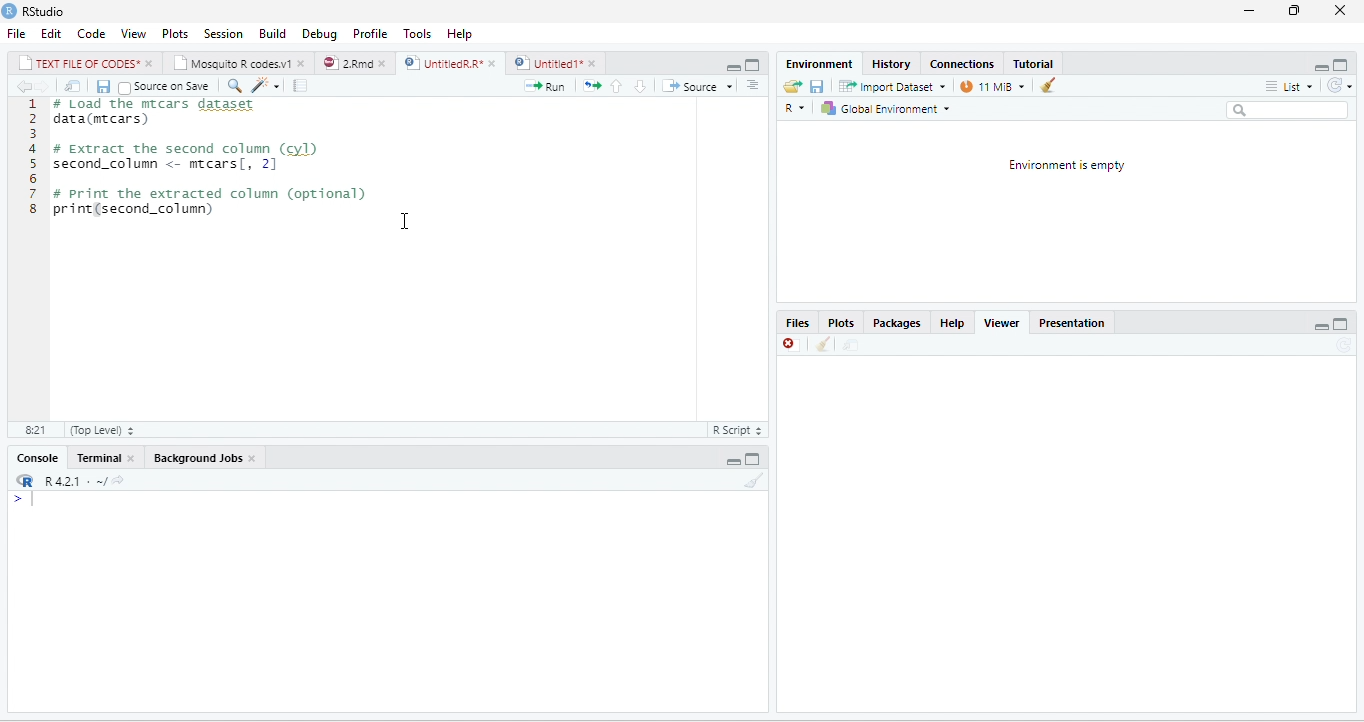 This screenshot has width=1364, height=722. What do you see at coordinates (33, 119) in the screenshot?
I see `2` at bounding box center [33, 119].